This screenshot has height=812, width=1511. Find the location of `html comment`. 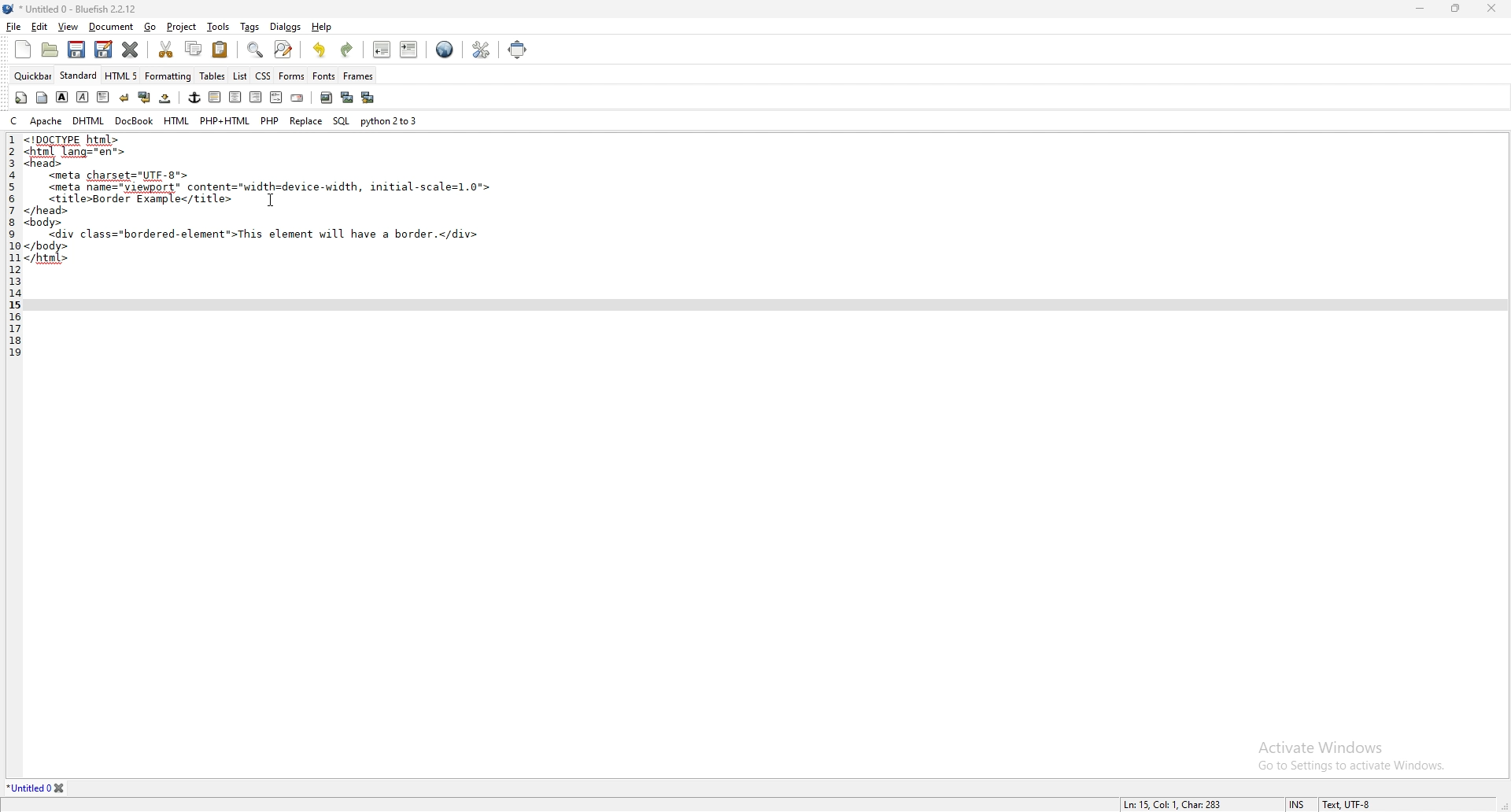

html comment is located at coordinates (275, 98).